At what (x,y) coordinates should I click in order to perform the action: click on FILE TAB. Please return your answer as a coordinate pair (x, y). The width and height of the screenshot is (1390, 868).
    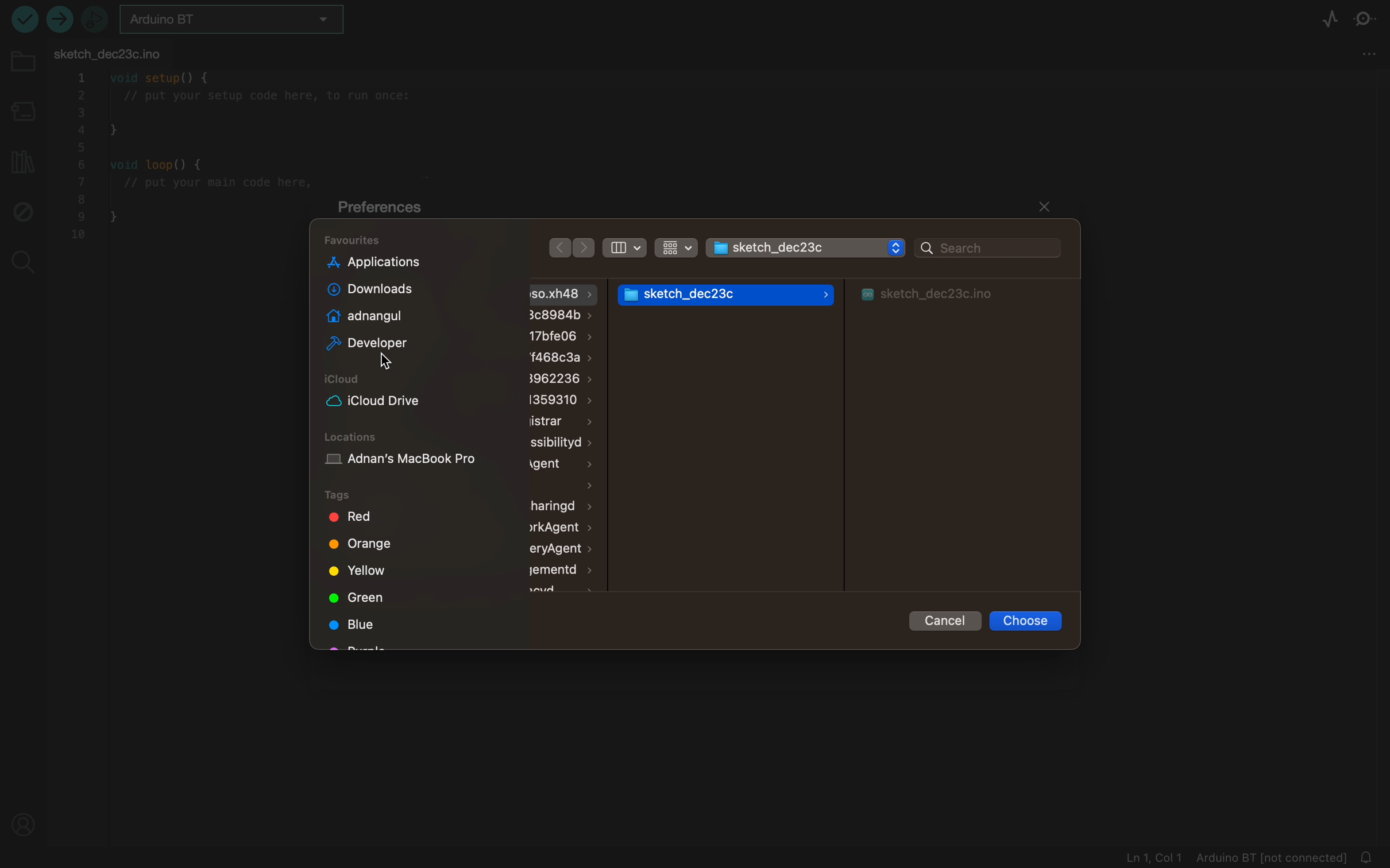
    Looking at the image, I should click on (115, 56).